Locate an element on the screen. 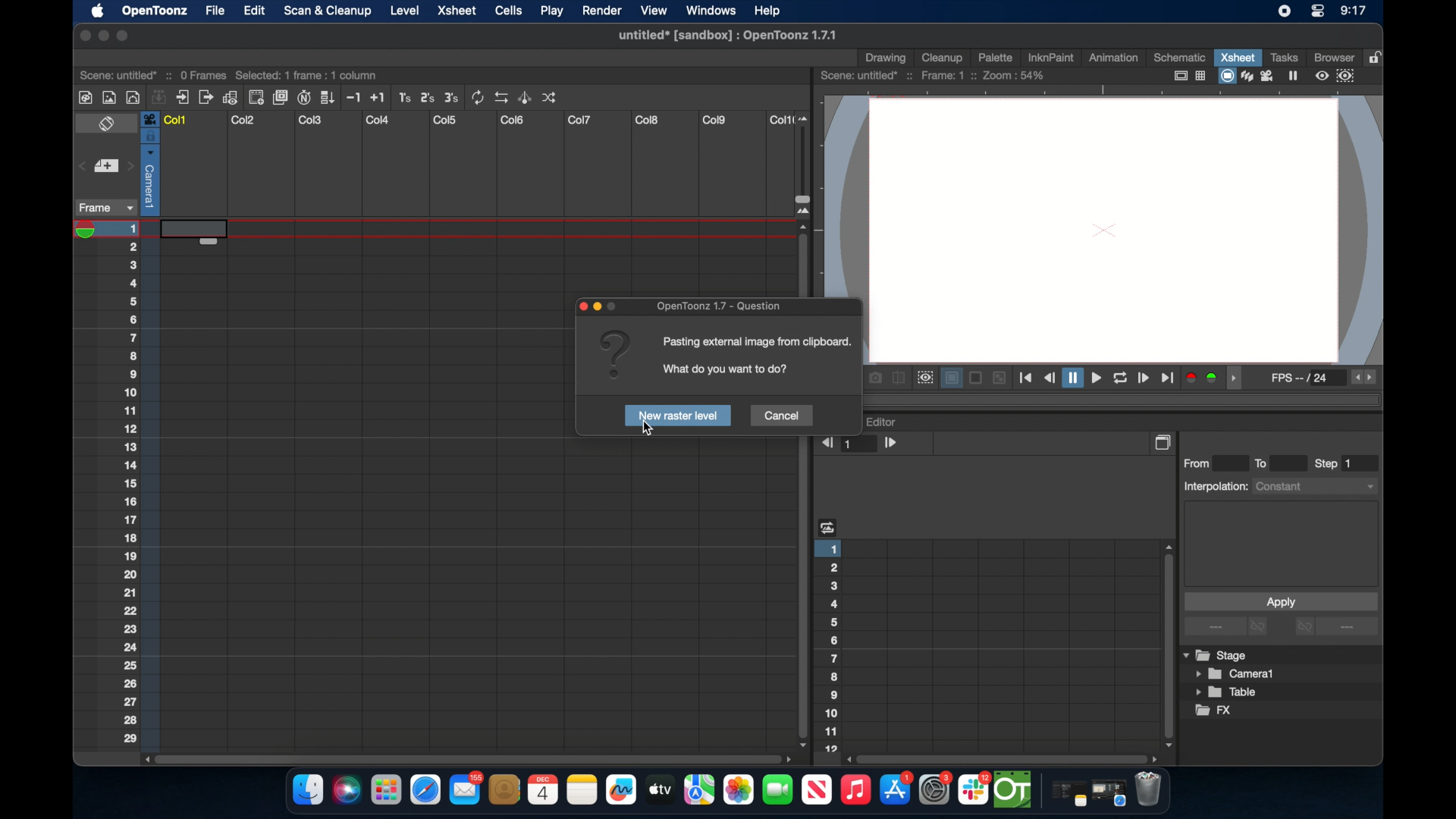  numbering is located at coordinates (831, 645).